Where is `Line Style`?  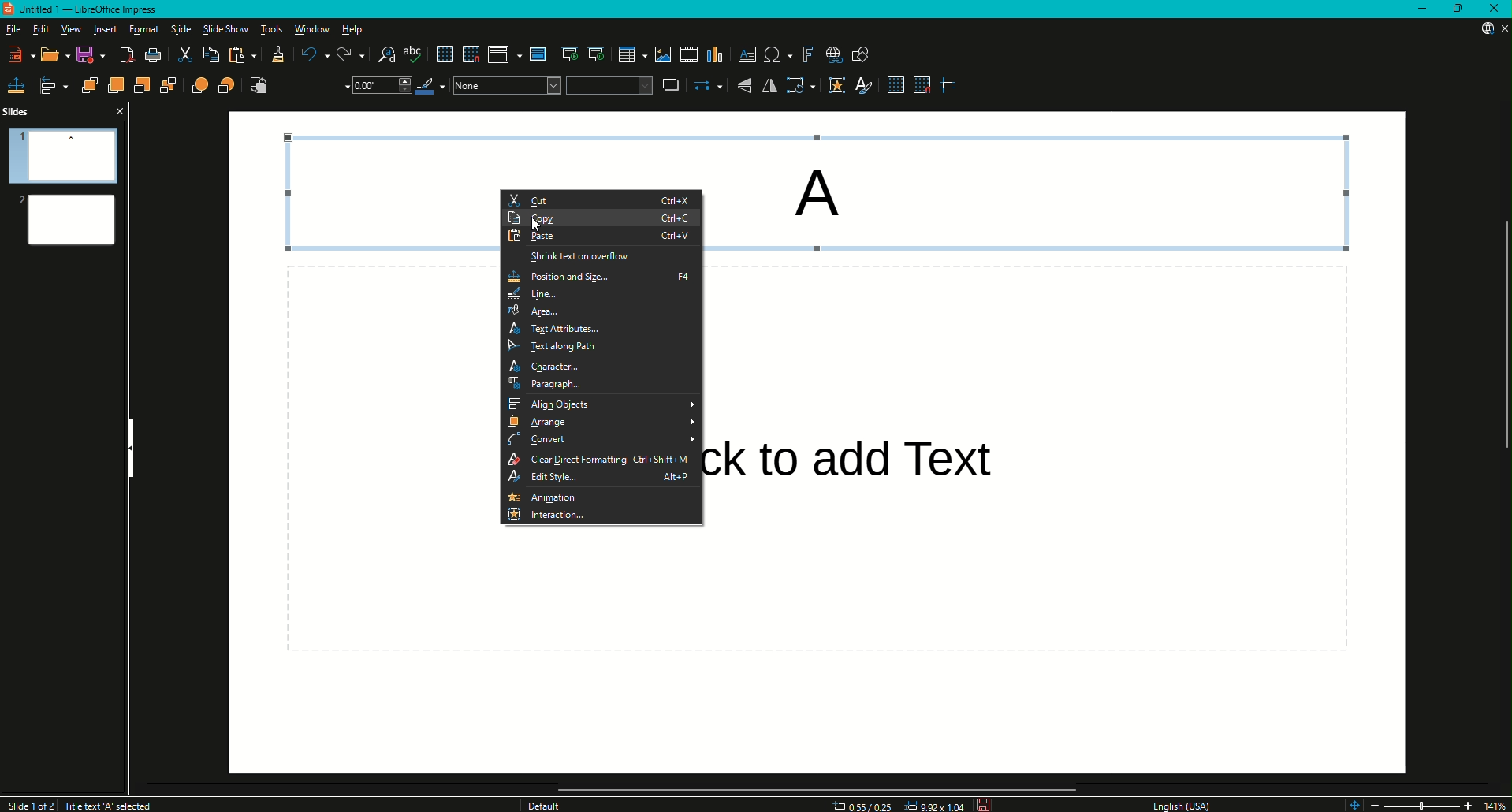
Line Style is located at coordinates (312, 87).